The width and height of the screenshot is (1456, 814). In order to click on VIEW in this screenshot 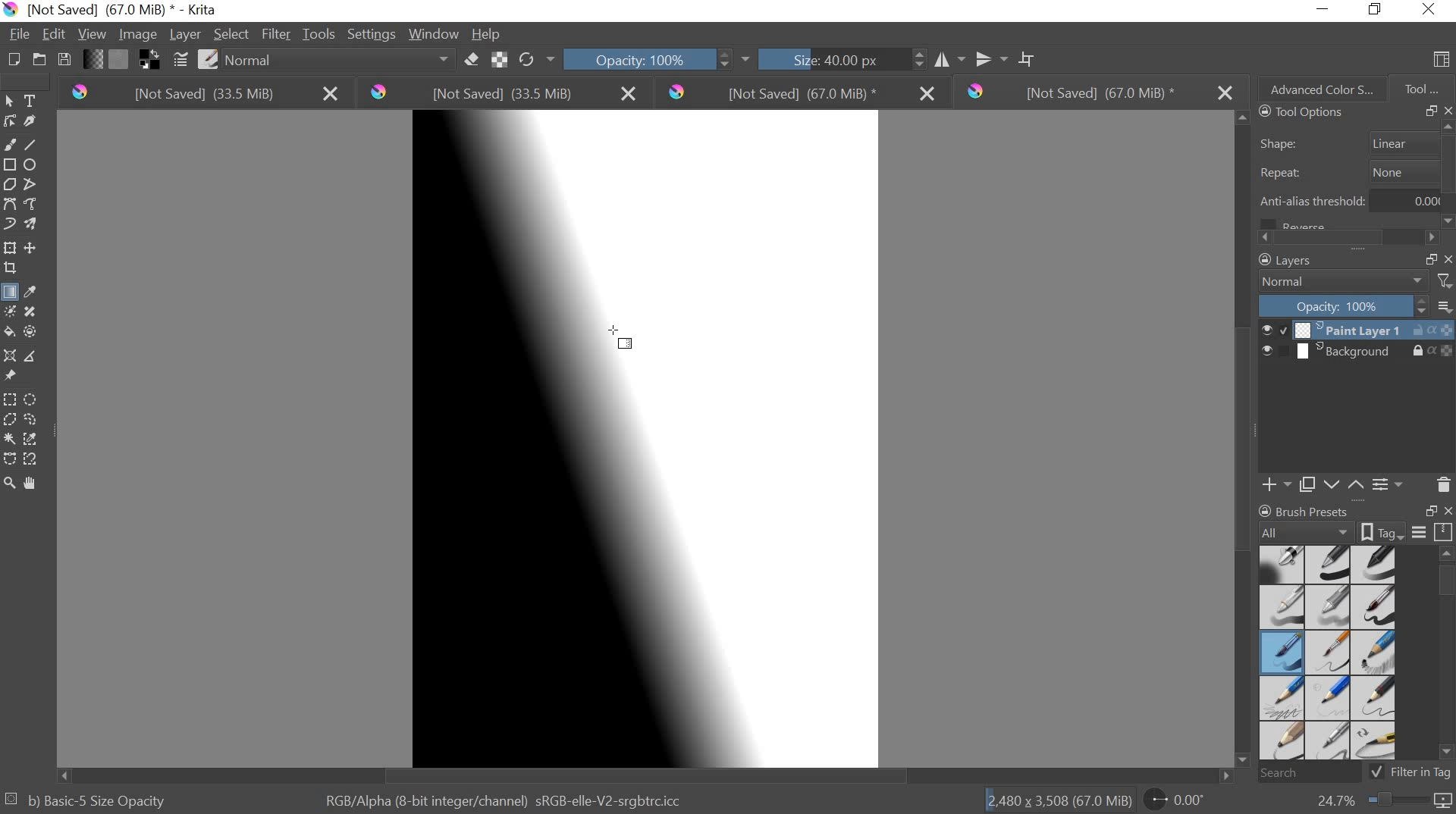, I will do `click(92, 36)`.